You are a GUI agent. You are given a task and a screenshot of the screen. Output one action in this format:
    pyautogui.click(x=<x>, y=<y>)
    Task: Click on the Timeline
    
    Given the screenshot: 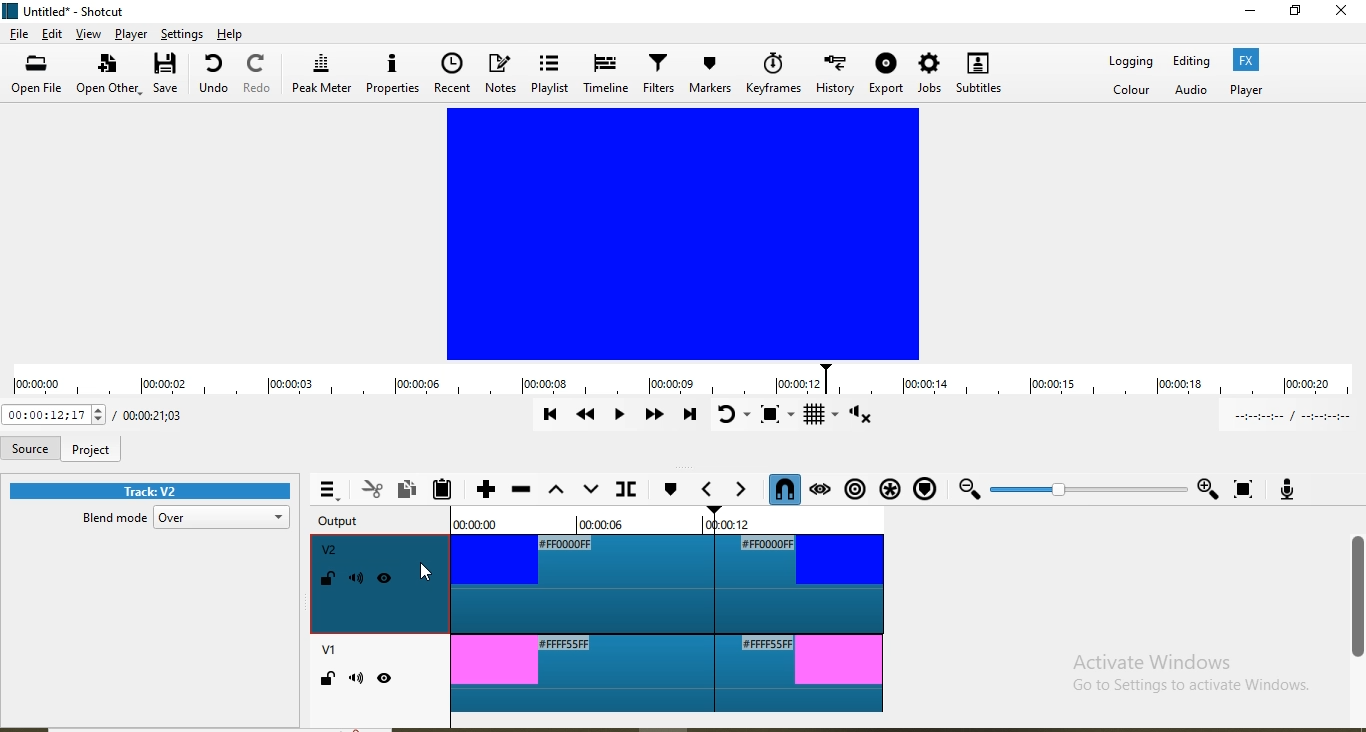 What is the action you would take?
    pyautogui.click(x=606, y=76)
    